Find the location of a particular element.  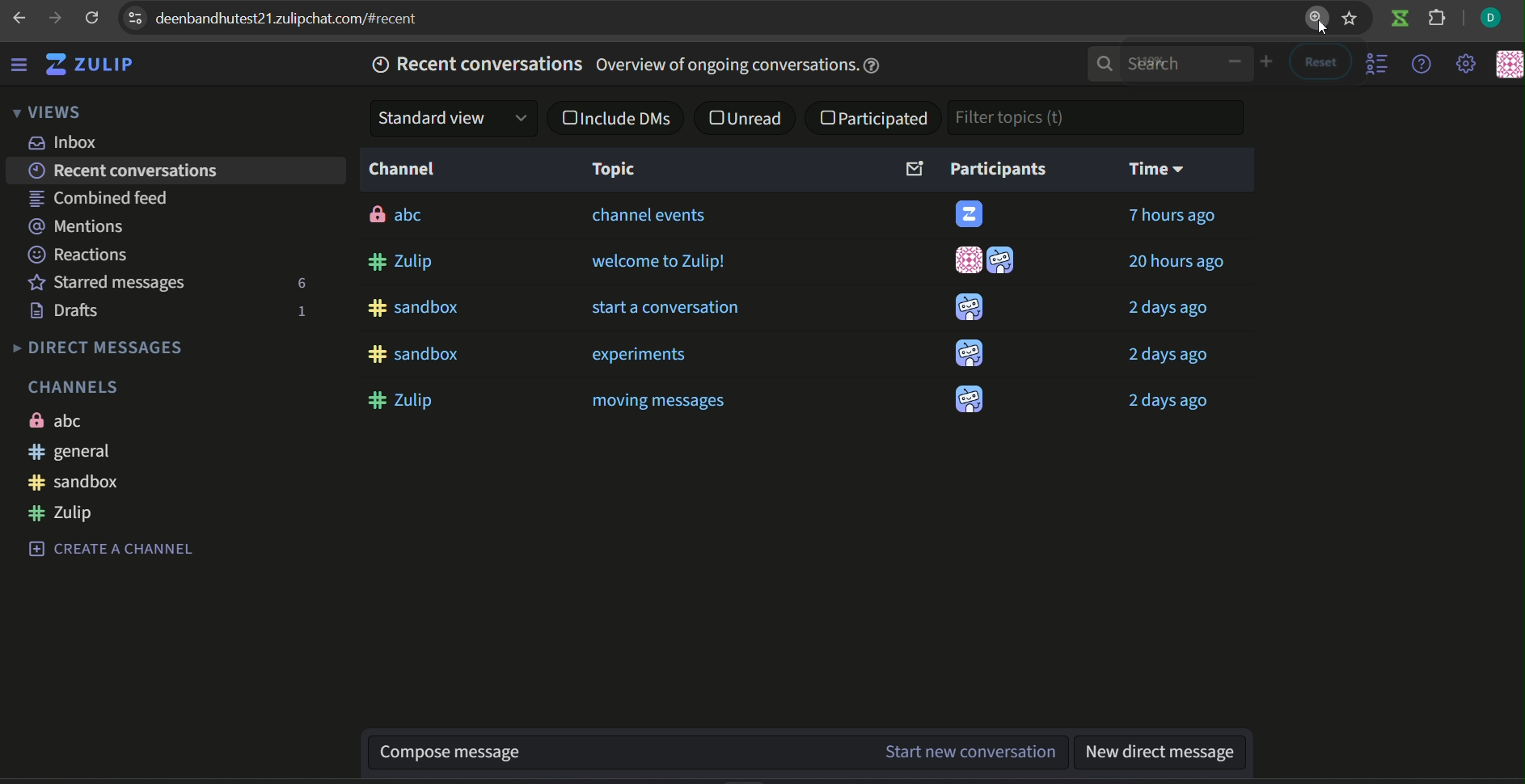

#sandbox is located at coordinates (425, 354).